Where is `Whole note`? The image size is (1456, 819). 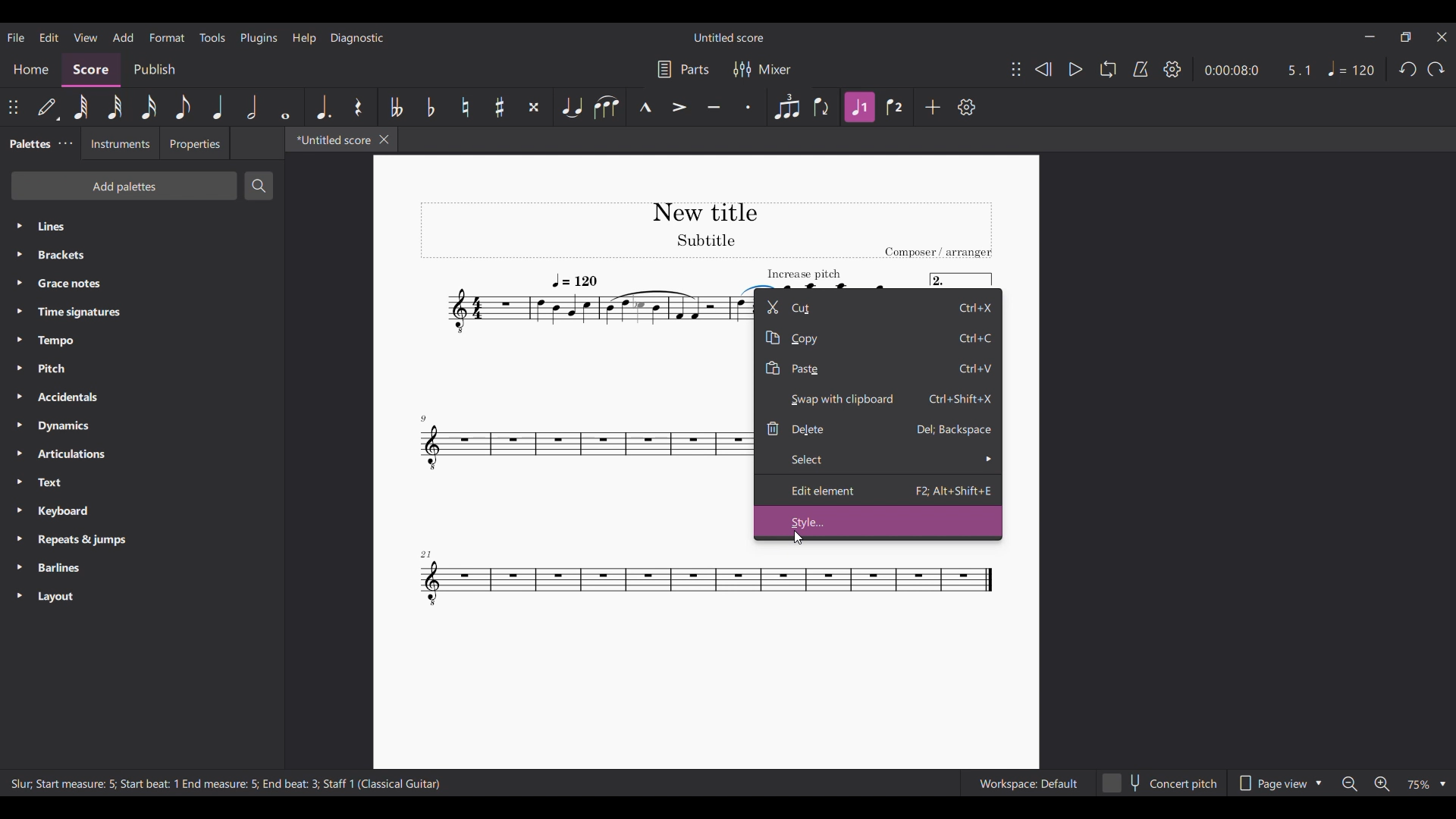
Whole note is located at coordinates (284, 107).